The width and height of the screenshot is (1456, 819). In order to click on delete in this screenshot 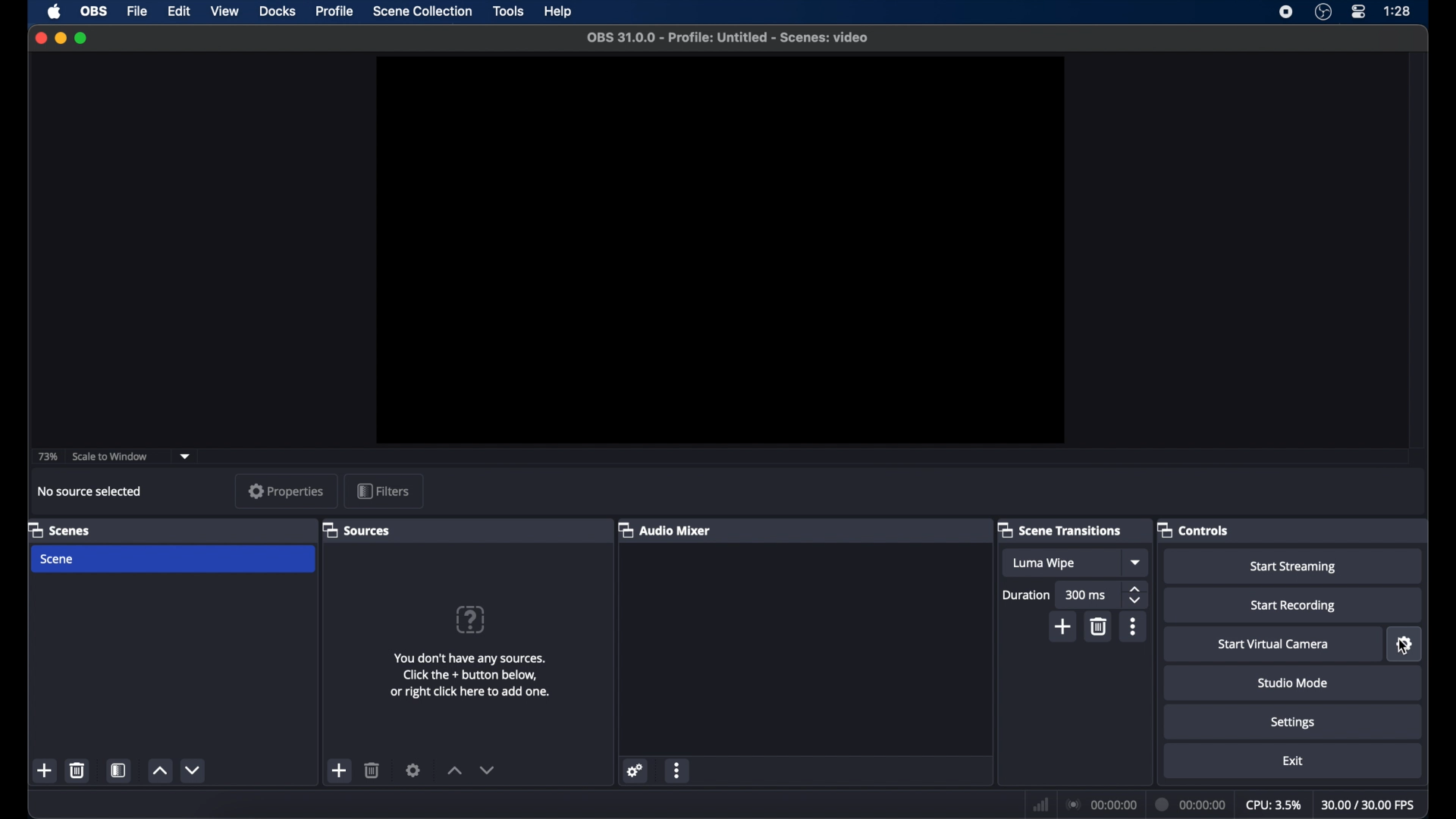, I will do `click(1098, 626)`.